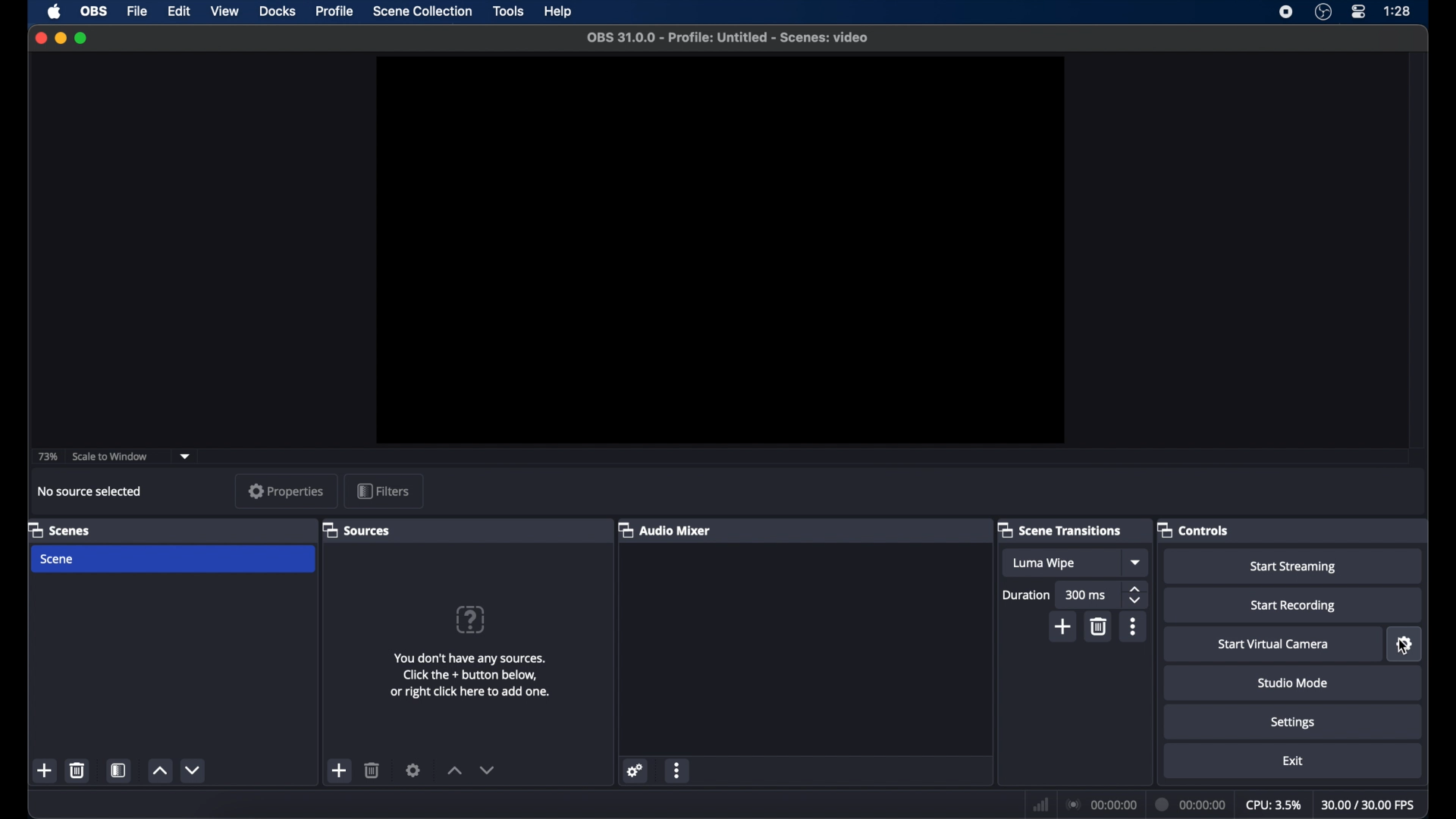 The image size is (1456, 819). What do you see at coordinates (472, 619) in the screenshot?
I see `help` at bounding box center [472, 619].